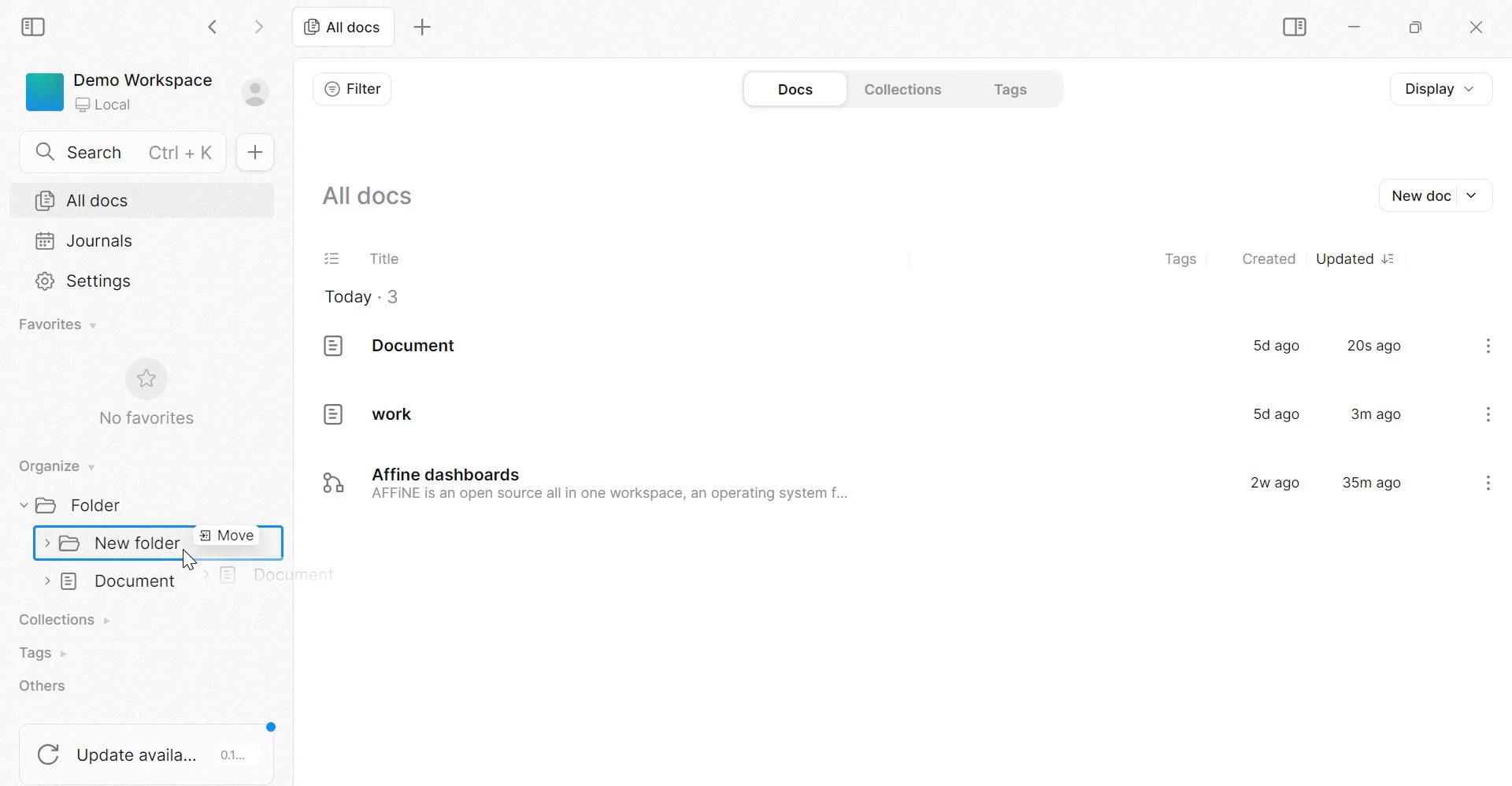  What do you see at coordinates (65, 617) in the screenshot?
I see `collections` at bounding box center [65, 617].